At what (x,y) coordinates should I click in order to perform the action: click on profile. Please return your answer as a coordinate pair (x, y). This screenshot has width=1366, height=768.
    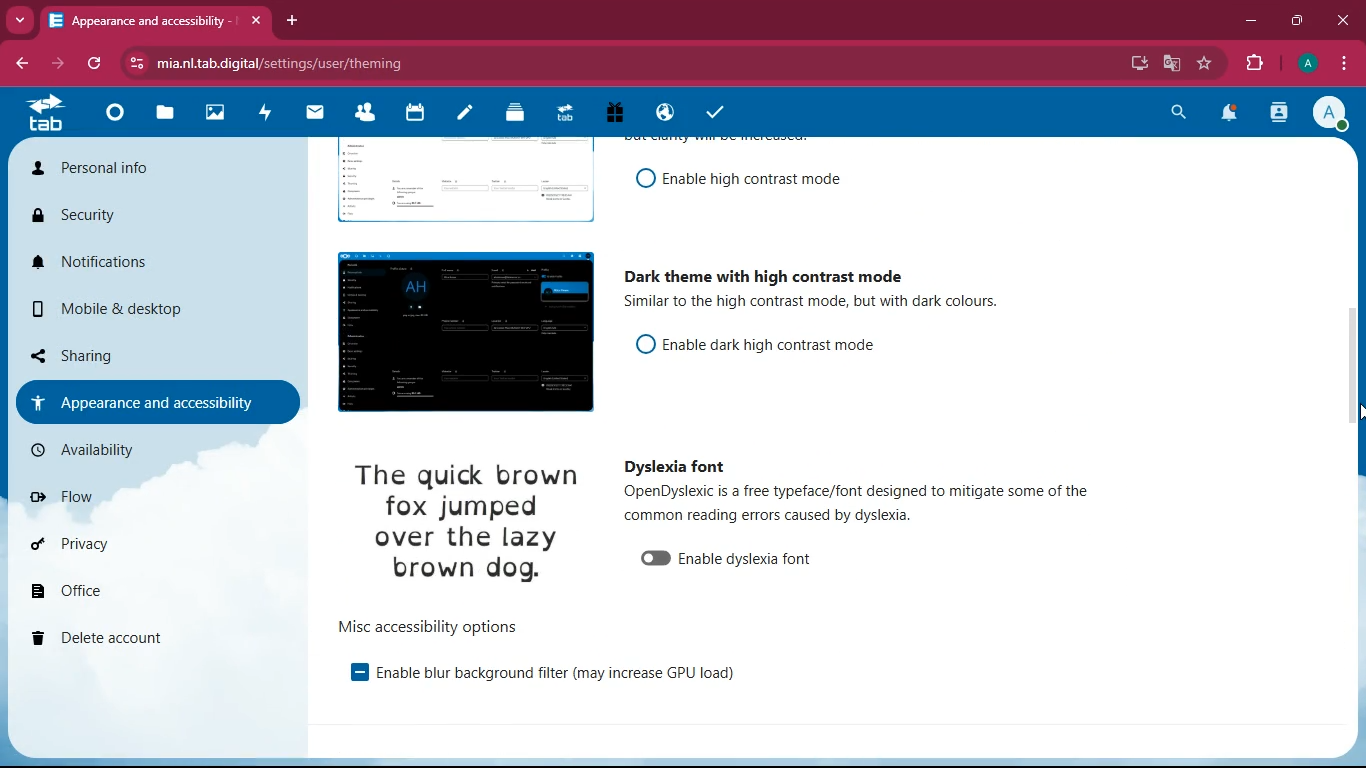
    Looking at the image, I should click on (1335, 115).